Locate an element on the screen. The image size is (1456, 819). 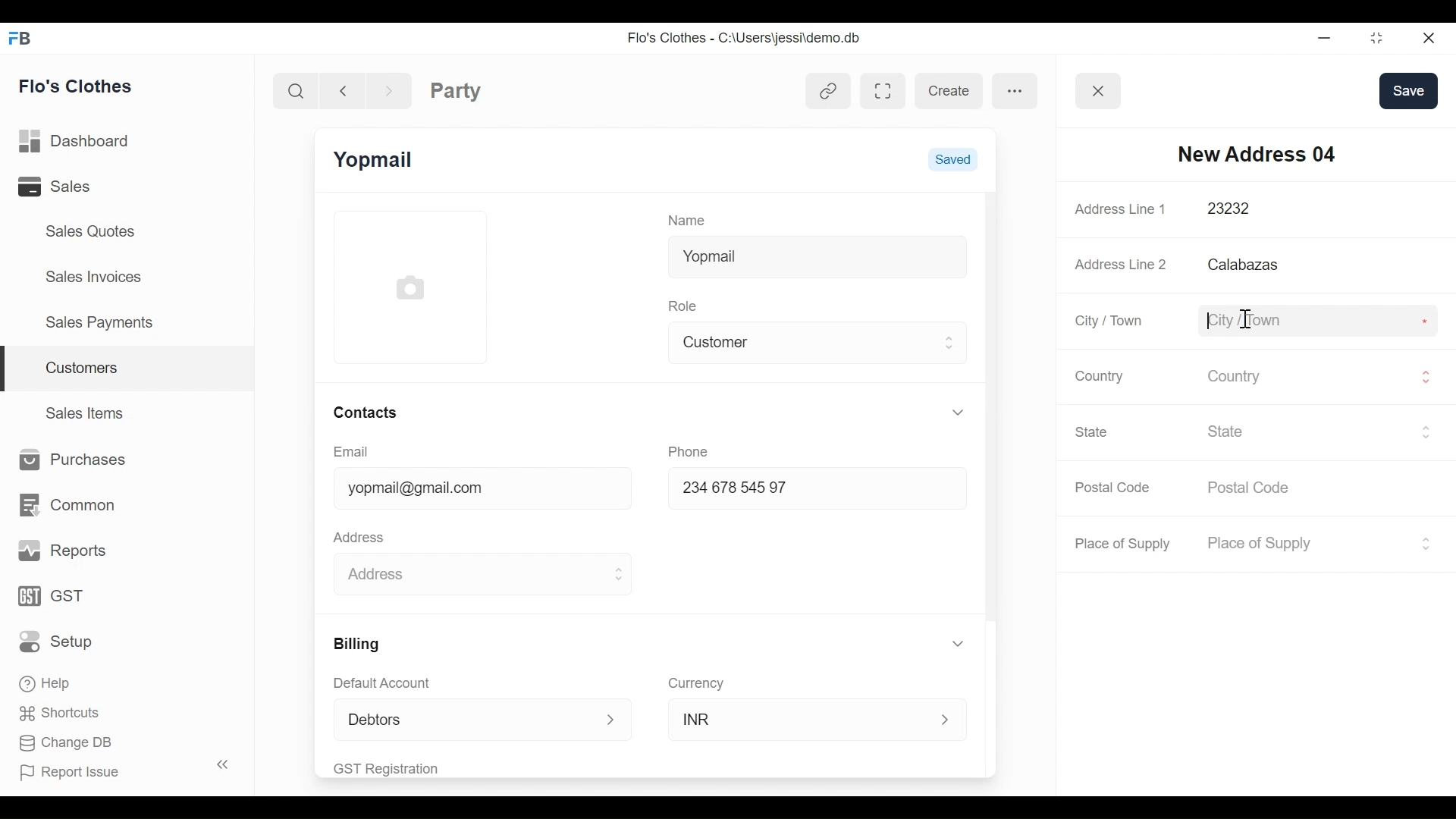
Country is located at coordinates (1097, 375).